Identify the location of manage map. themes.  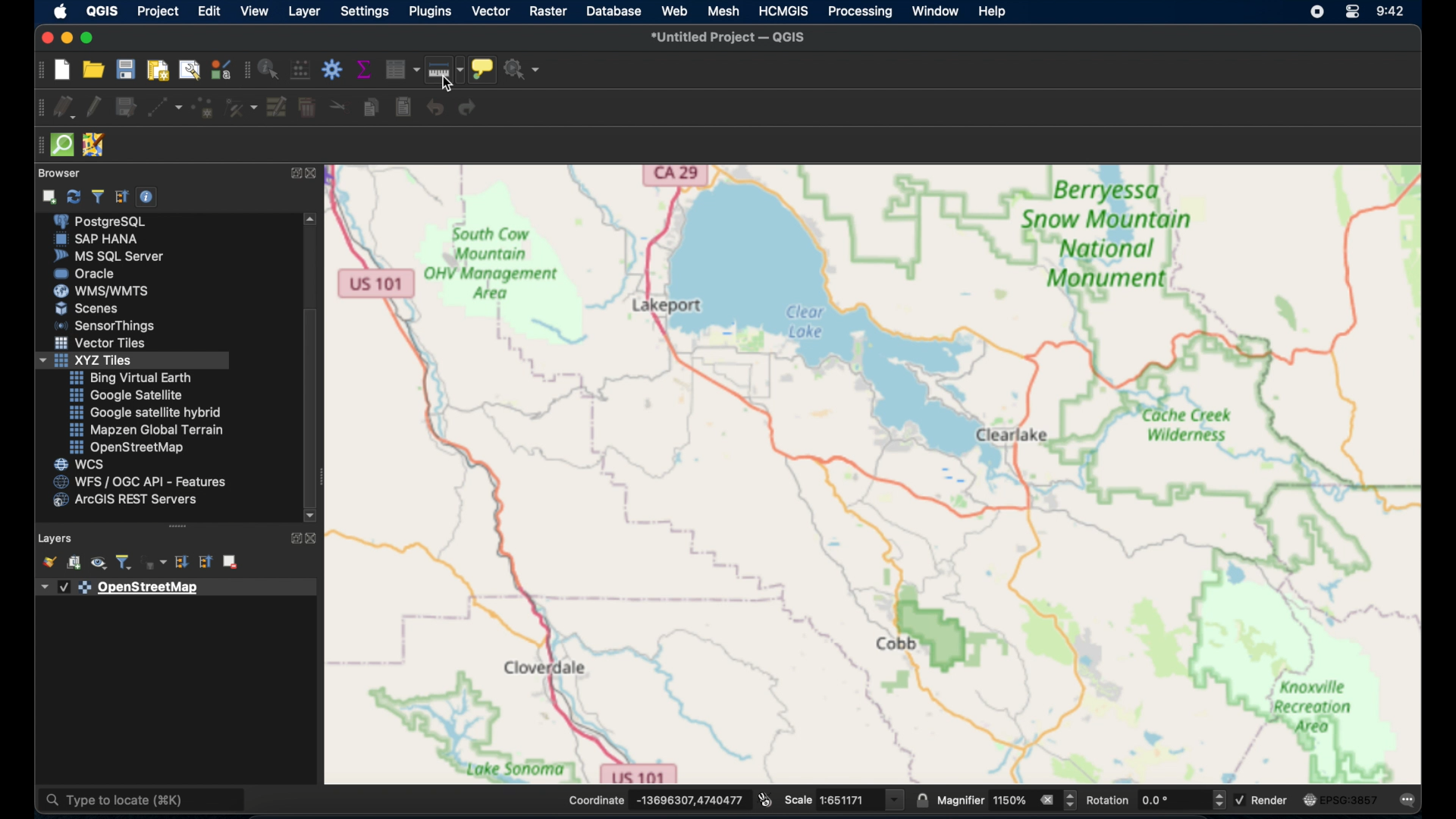
(97, 564).